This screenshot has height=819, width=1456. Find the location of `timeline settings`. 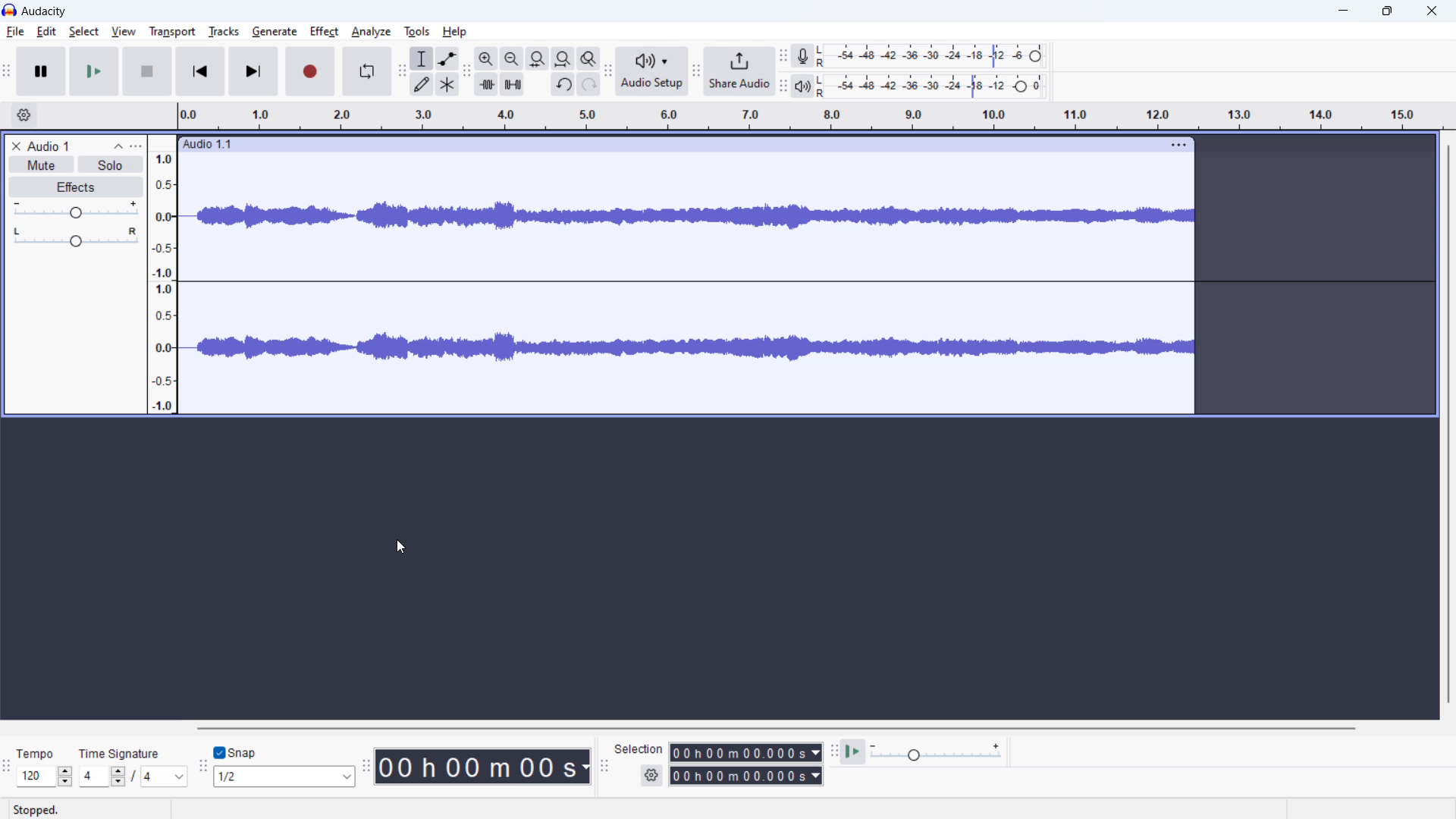

timeline settings is located at coordinates (24, 115).